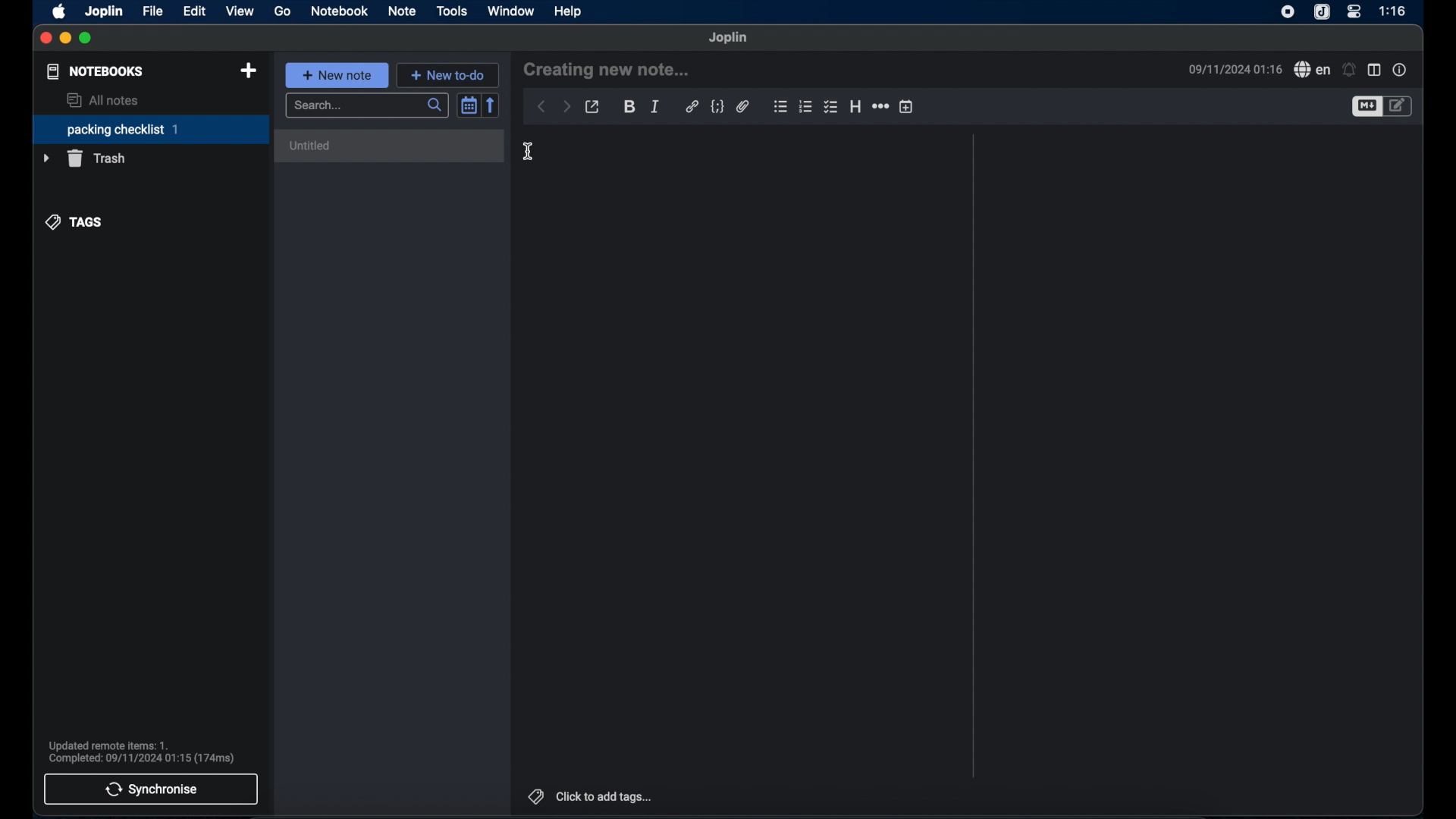 Image resolution: width=1456 pixels, height=819 pixels. What do you see at coordinates (366, 105) in the screenshot?
I see `search bar` at bounding box center [366, 105].